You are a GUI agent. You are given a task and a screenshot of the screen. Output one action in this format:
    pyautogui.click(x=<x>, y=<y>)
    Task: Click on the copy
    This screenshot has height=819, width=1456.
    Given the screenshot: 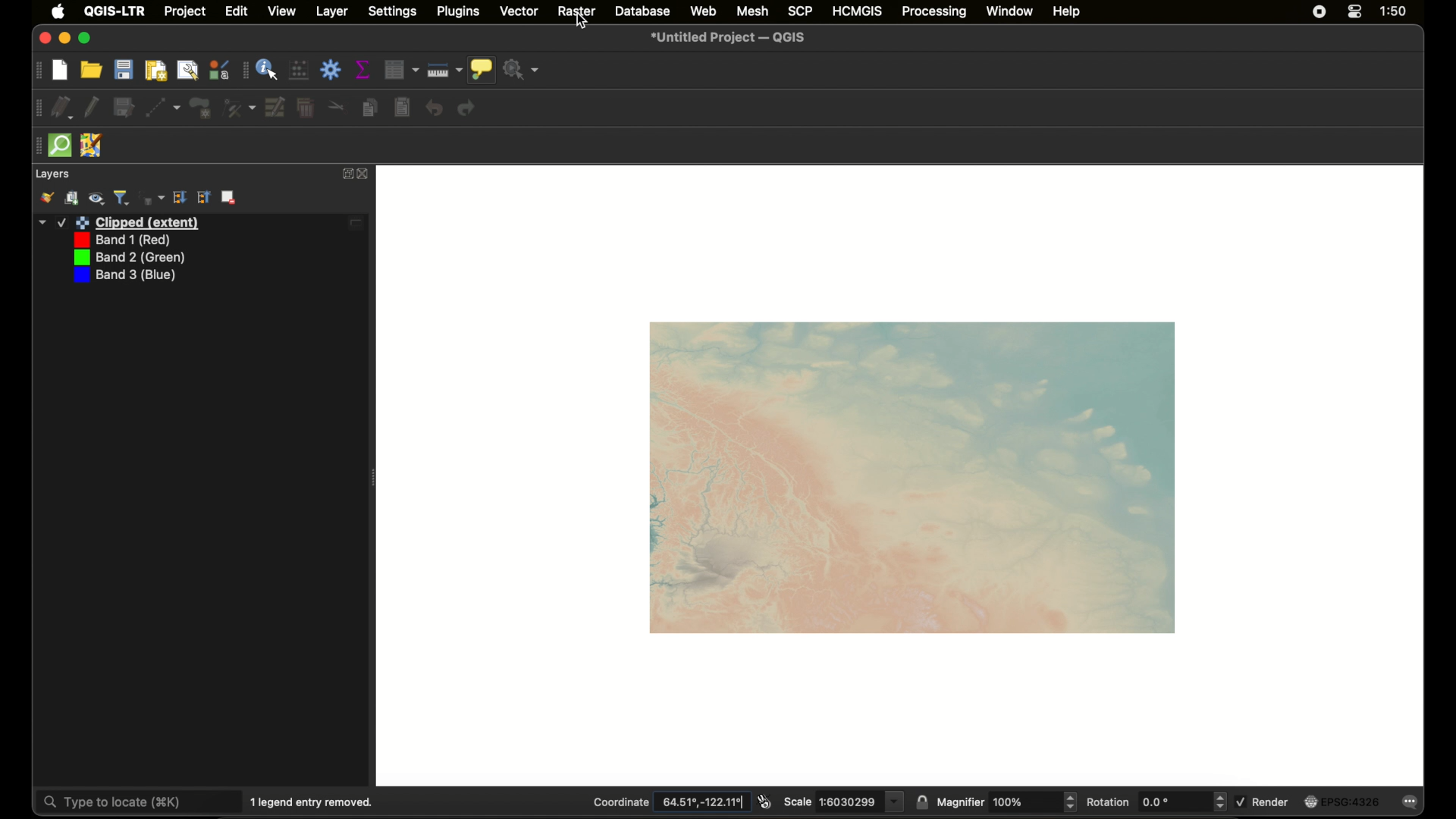 What is the action you would take?
    pyautogui.click(x=370, y=108)
    